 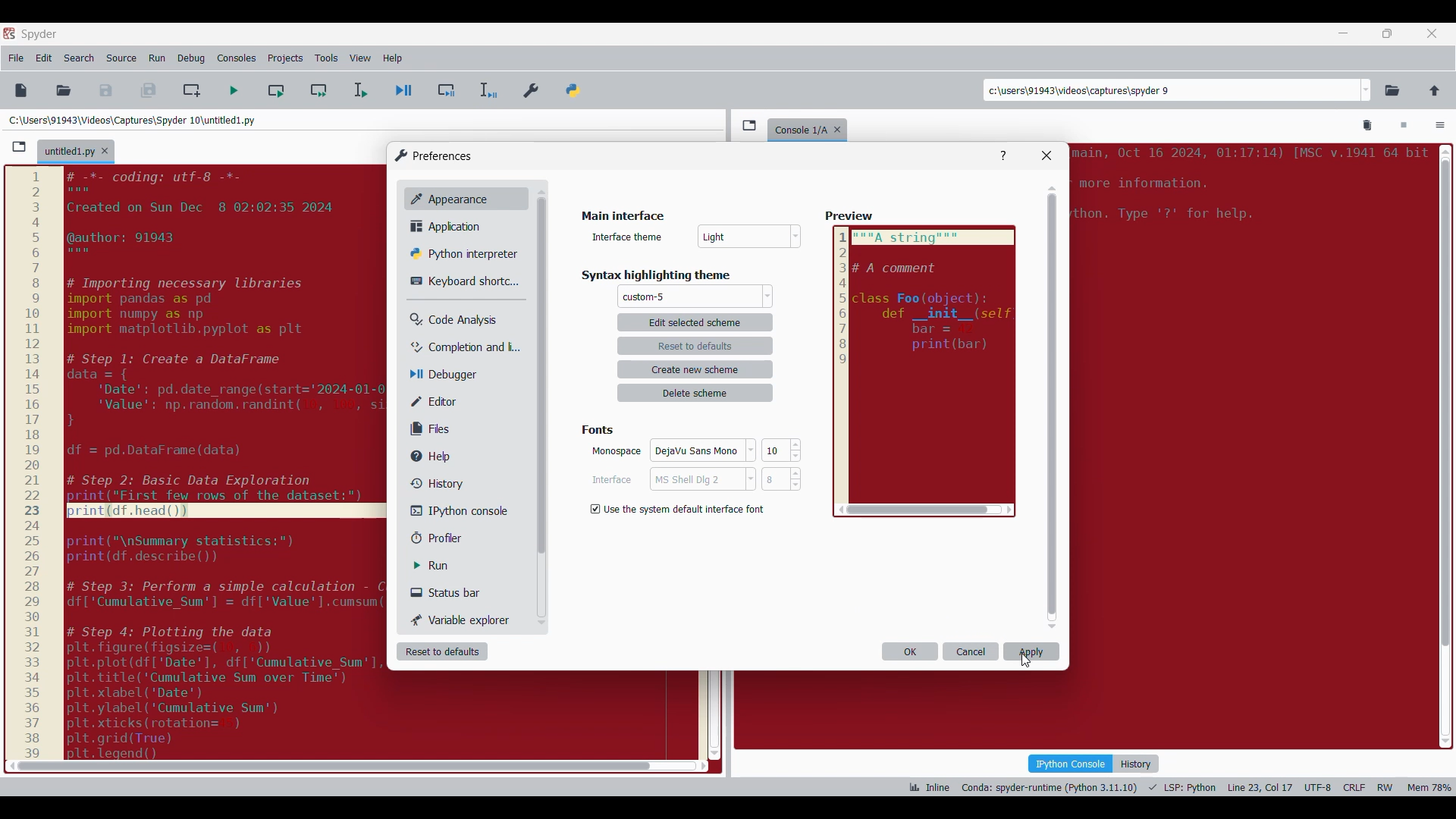 I want to click on Options, so click(x=1440, y=127).